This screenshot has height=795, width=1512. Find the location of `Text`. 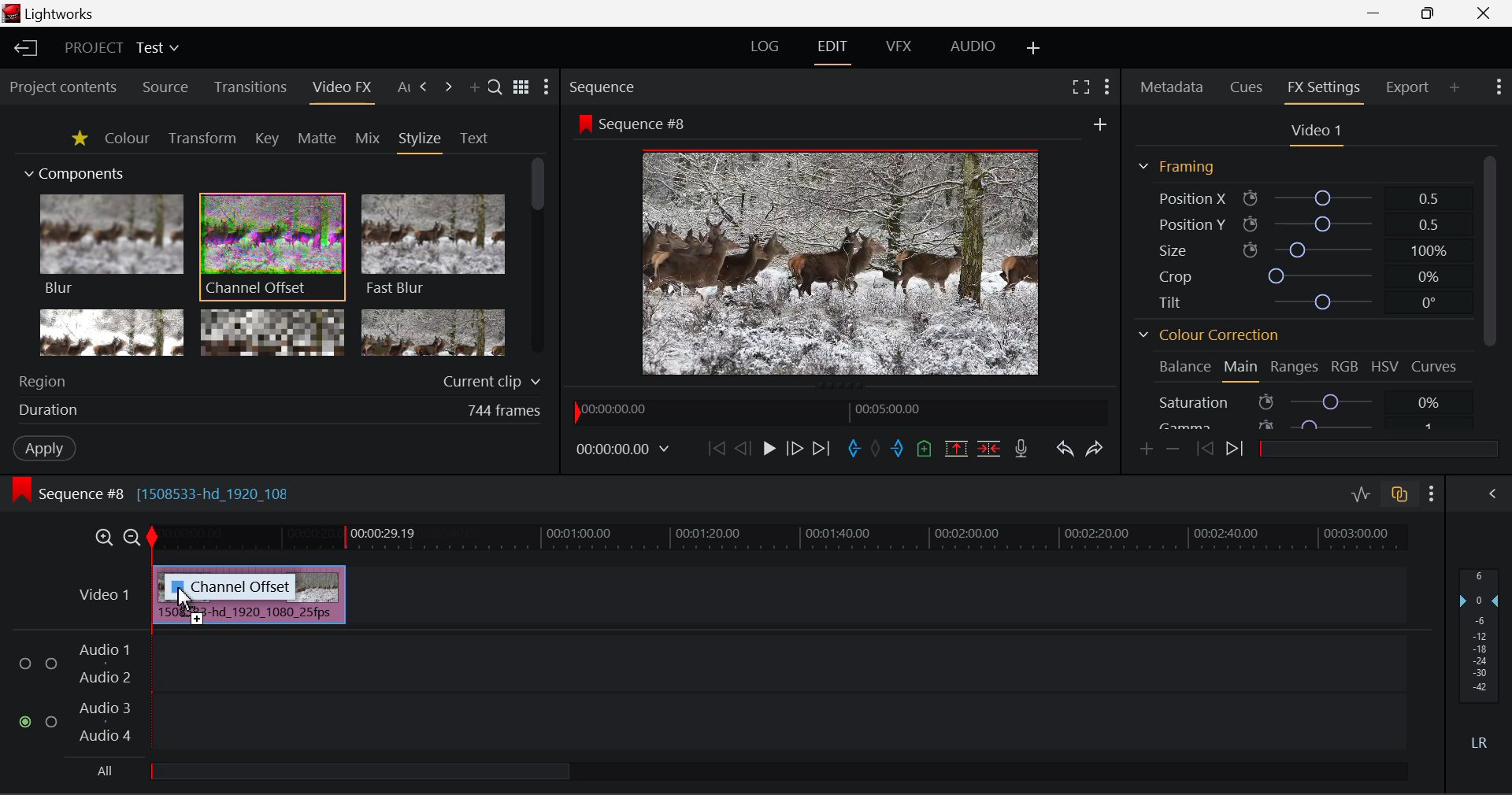

Text is located at coordinates (473, 139).